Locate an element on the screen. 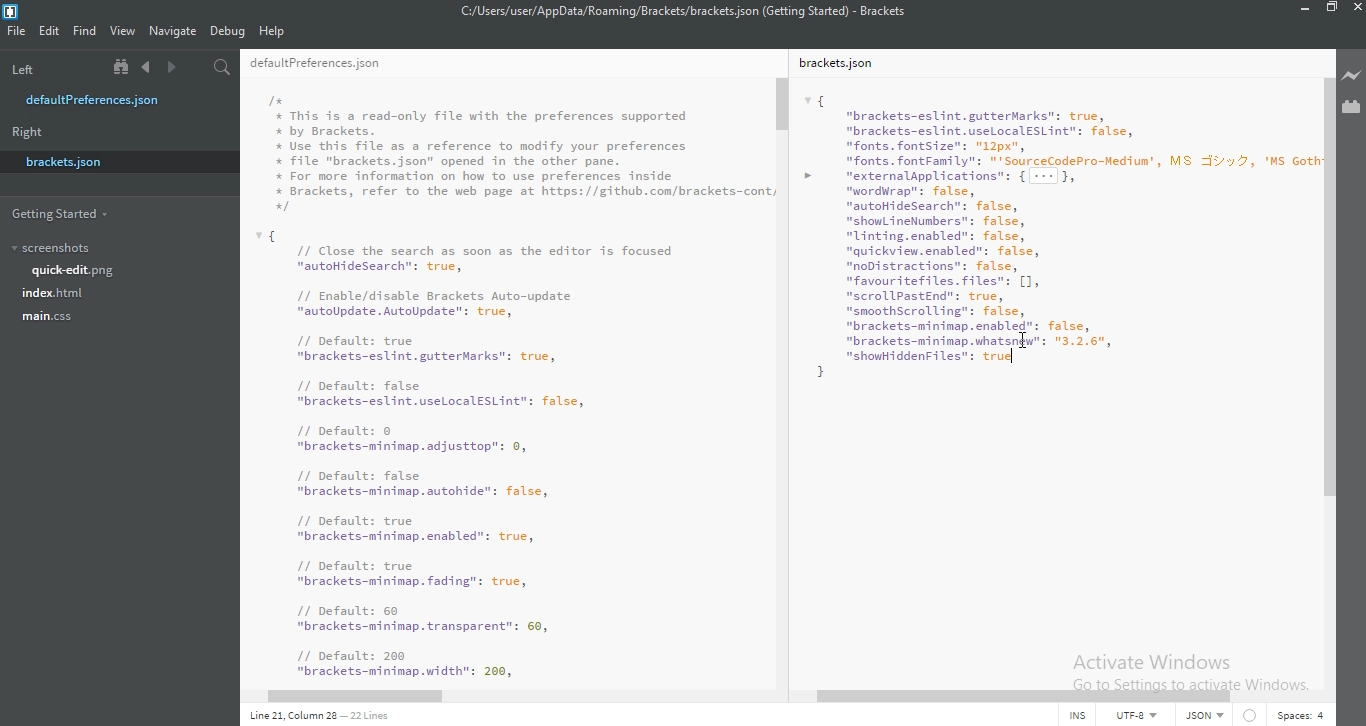 Image resolution: width=1366 pixels, height=726 pixels. INS is located at coordinates (1072, 714).